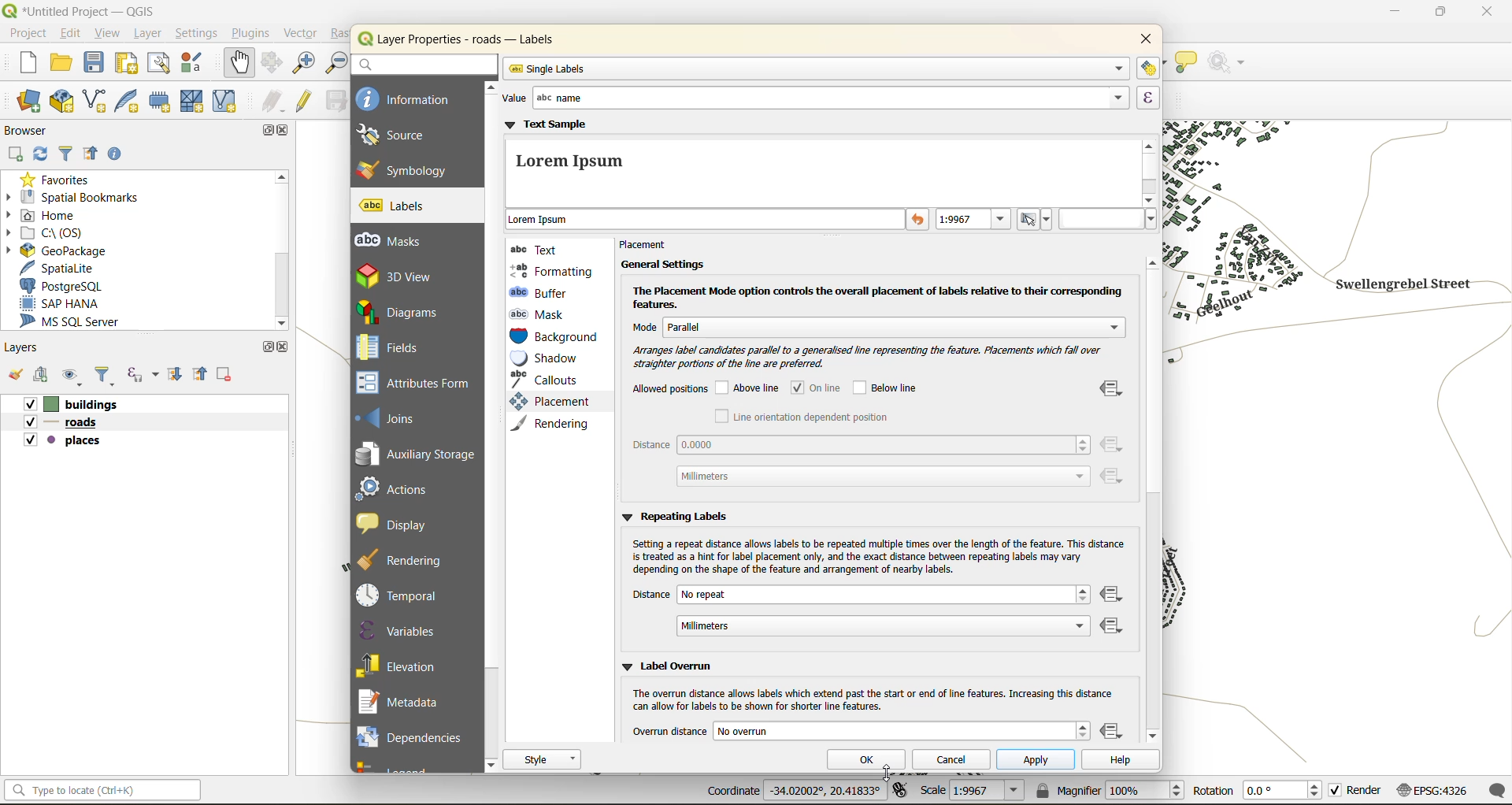 The width and height of the screenshot is (1512, 805). Describe the element at coordinates (236, 63) in the screenshot. I see `pan map` at that location.